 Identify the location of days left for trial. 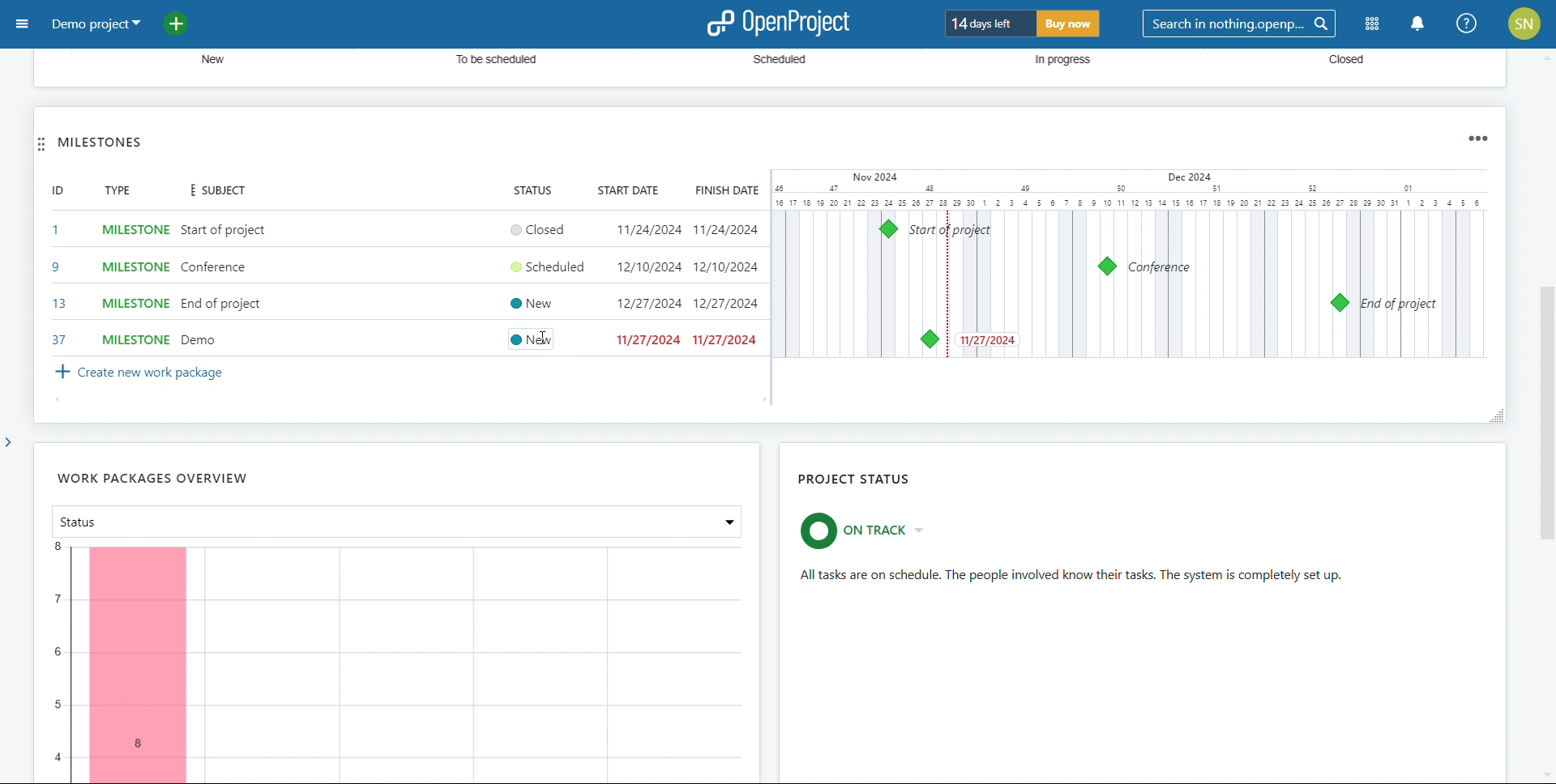
(989, 23).